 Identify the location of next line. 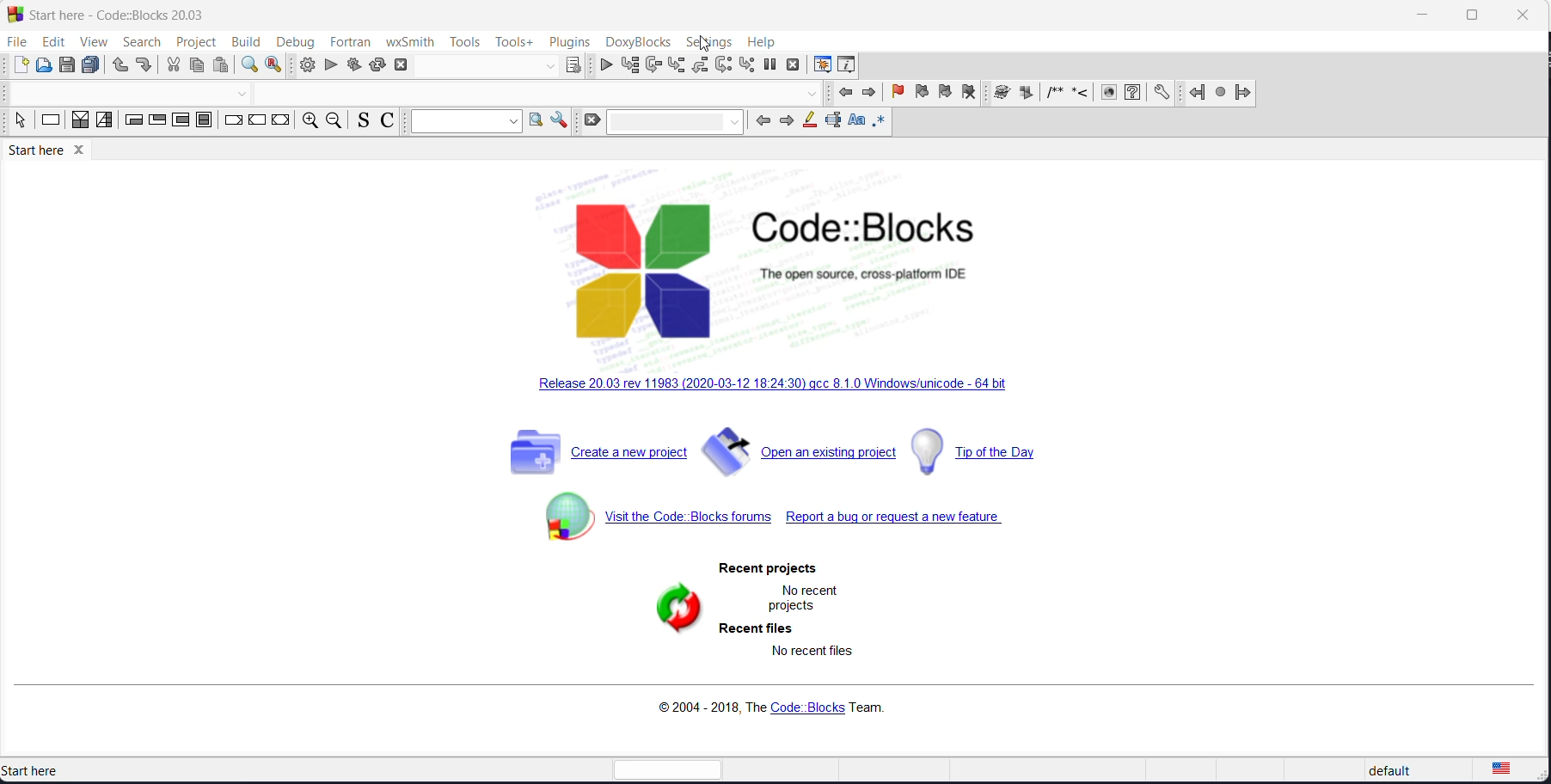
(656, 65).